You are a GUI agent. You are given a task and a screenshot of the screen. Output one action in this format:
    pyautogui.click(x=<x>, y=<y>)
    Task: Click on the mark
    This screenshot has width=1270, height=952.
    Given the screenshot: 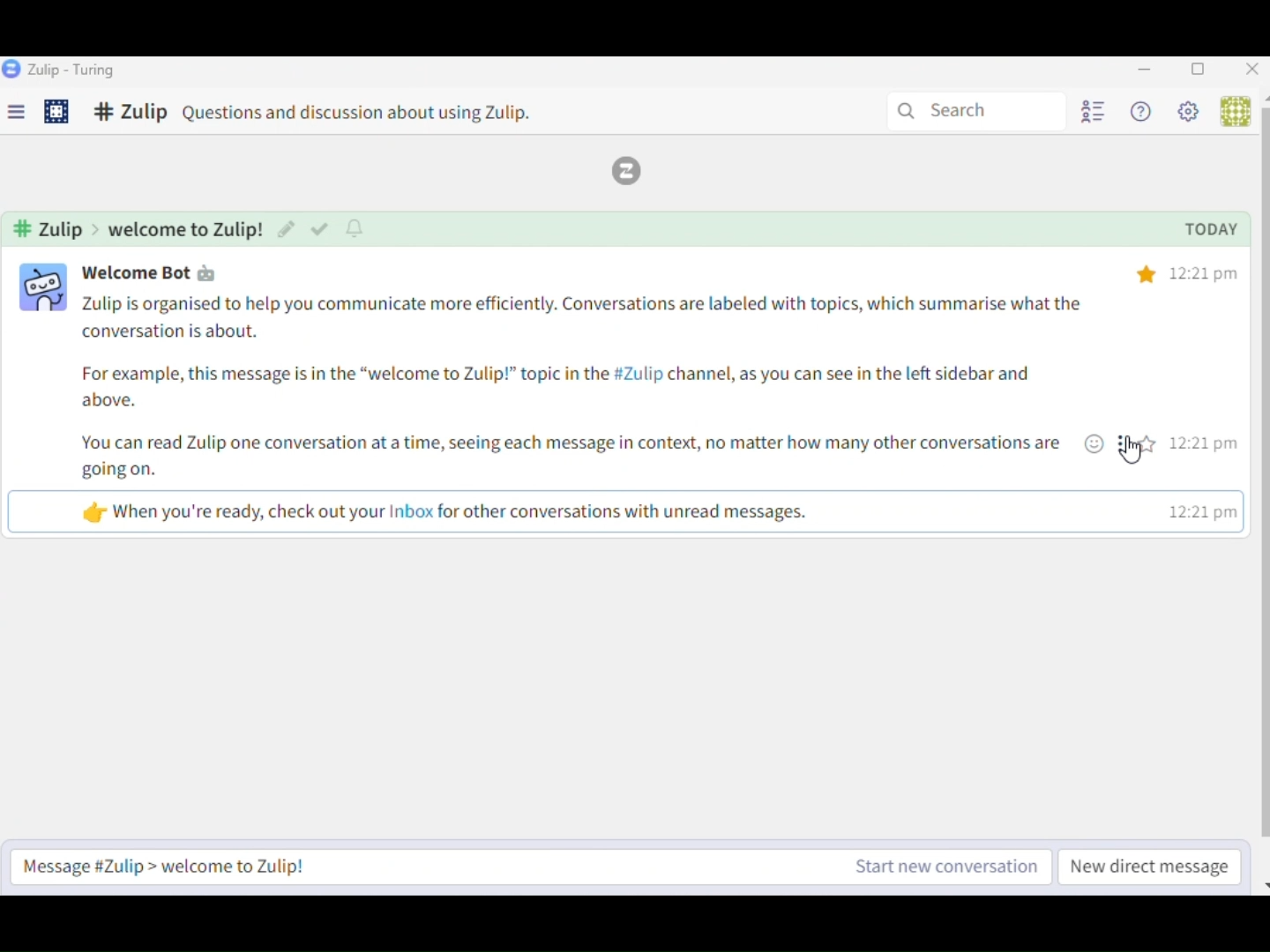 What is the action you would take?
    pyautogui.click(x=318, y=230)
    